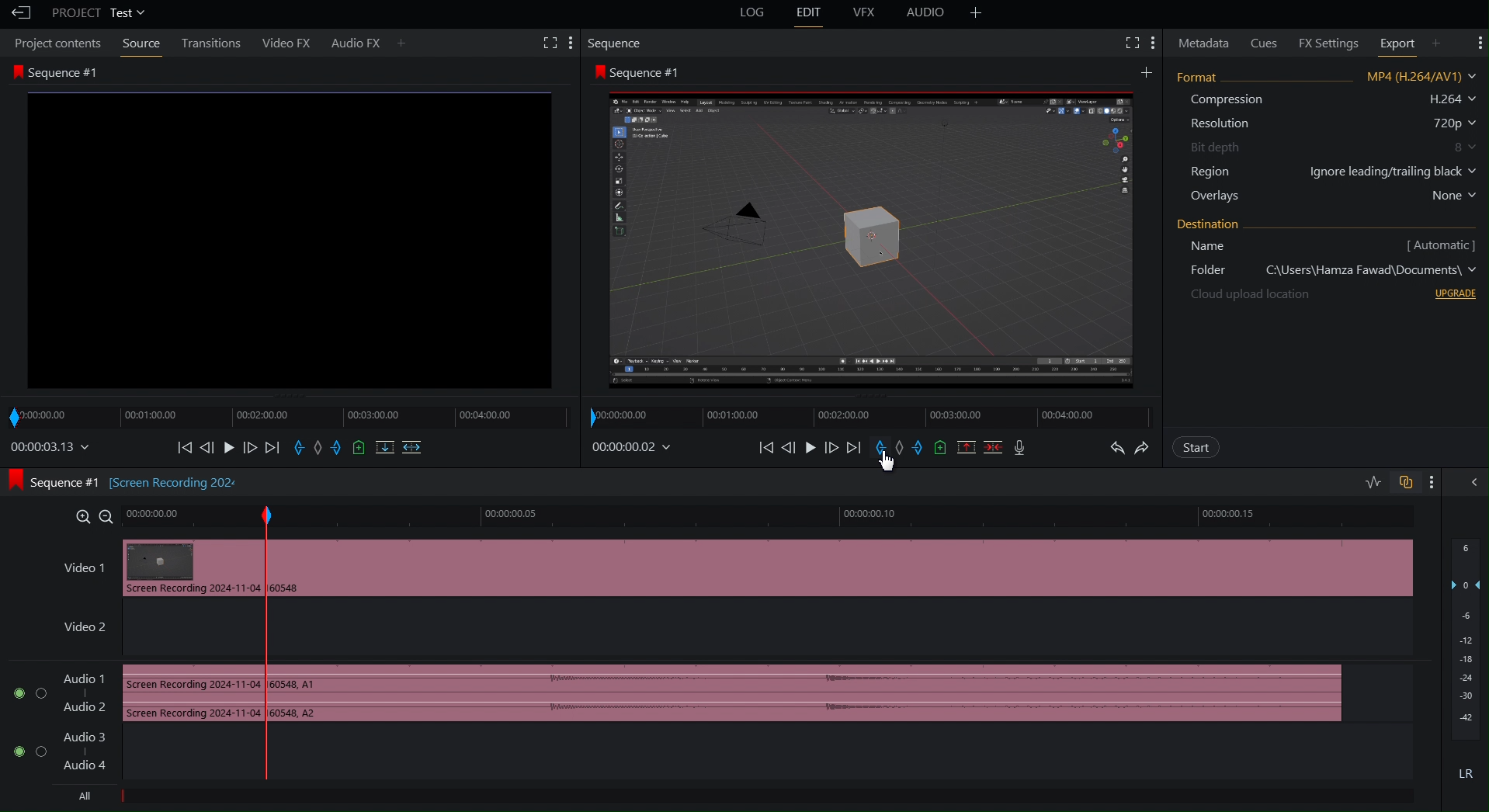  What do you see at coordinates (1023, 449) in the screenshot?
I see `Mic` at bounding box center [1023, 449].